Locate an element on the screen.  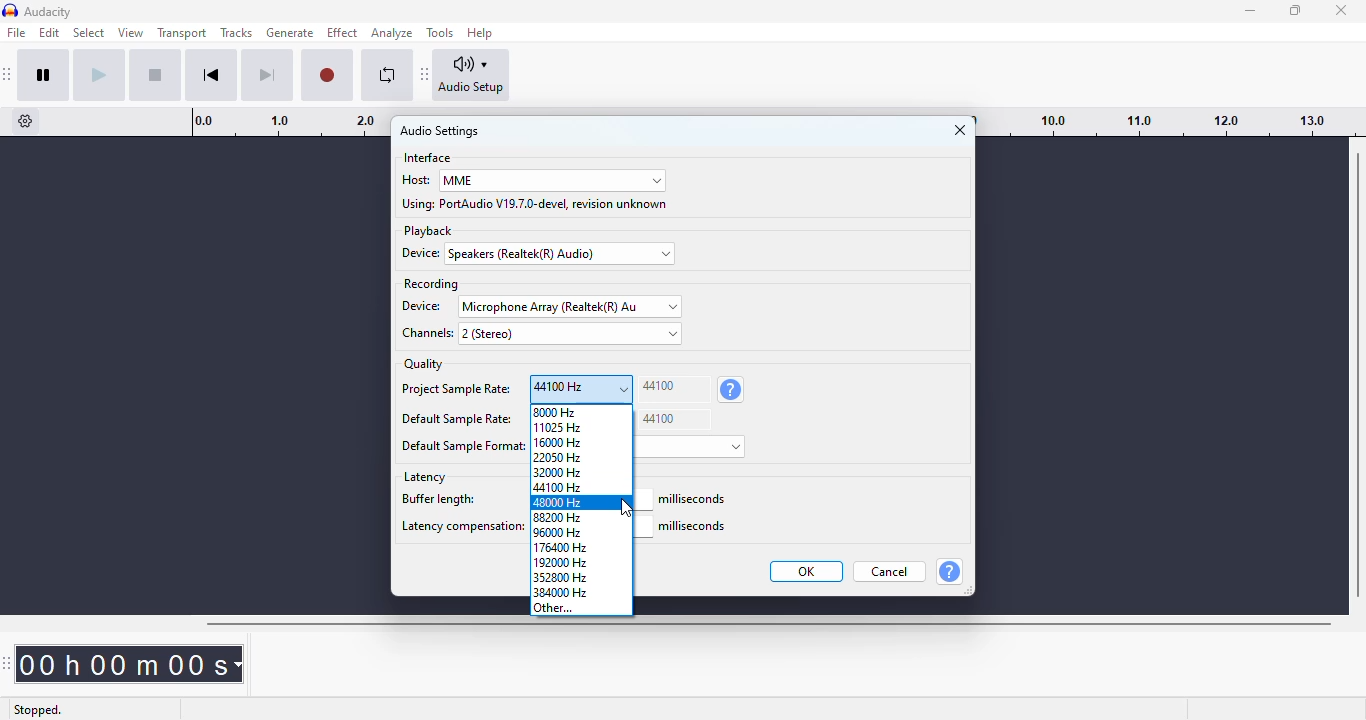
buffer length is located at coordinates (459, 501).